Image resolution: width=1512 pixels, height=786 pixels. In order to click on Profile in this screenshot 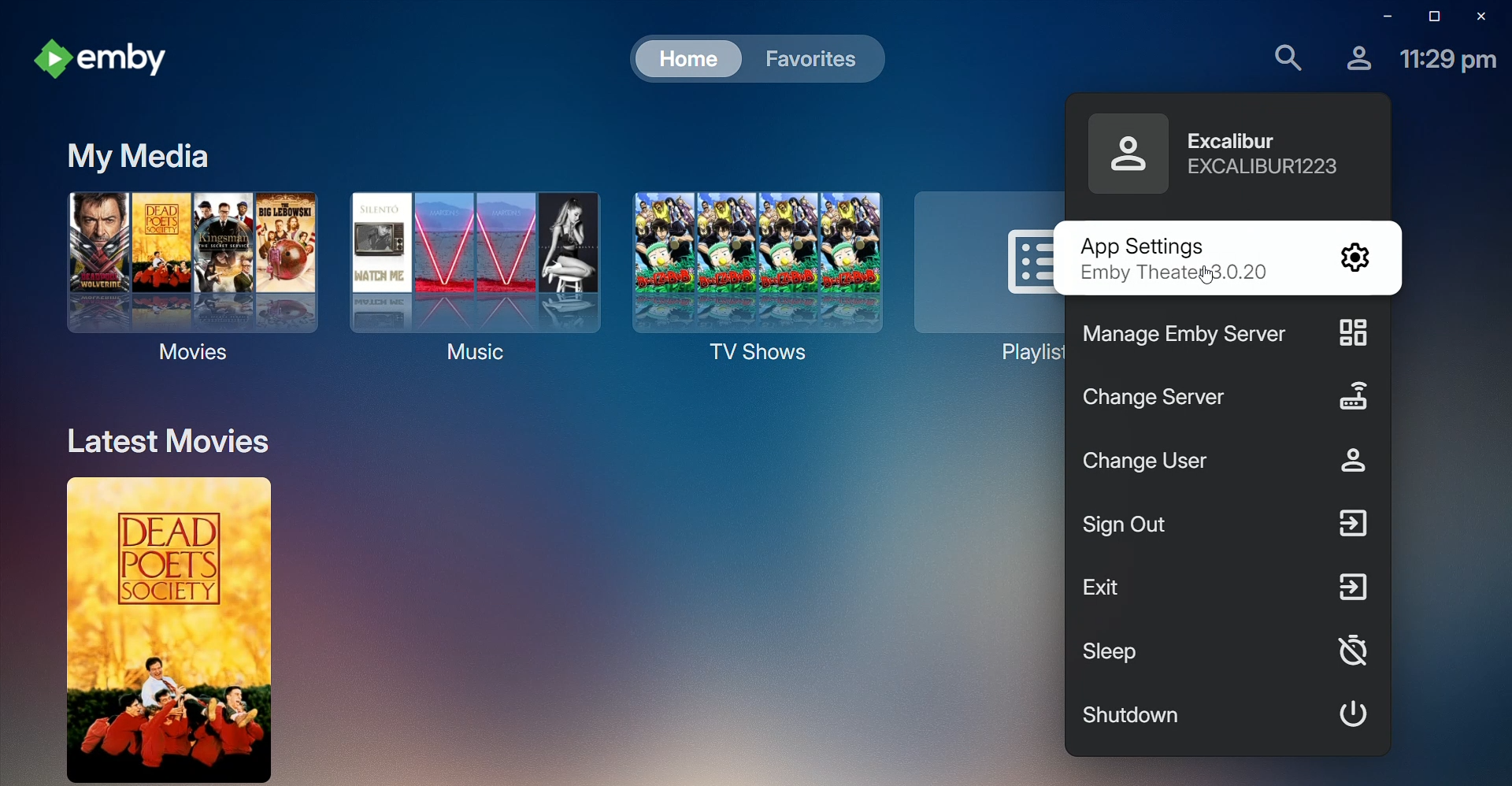, I will do `click(1354, 64)`.